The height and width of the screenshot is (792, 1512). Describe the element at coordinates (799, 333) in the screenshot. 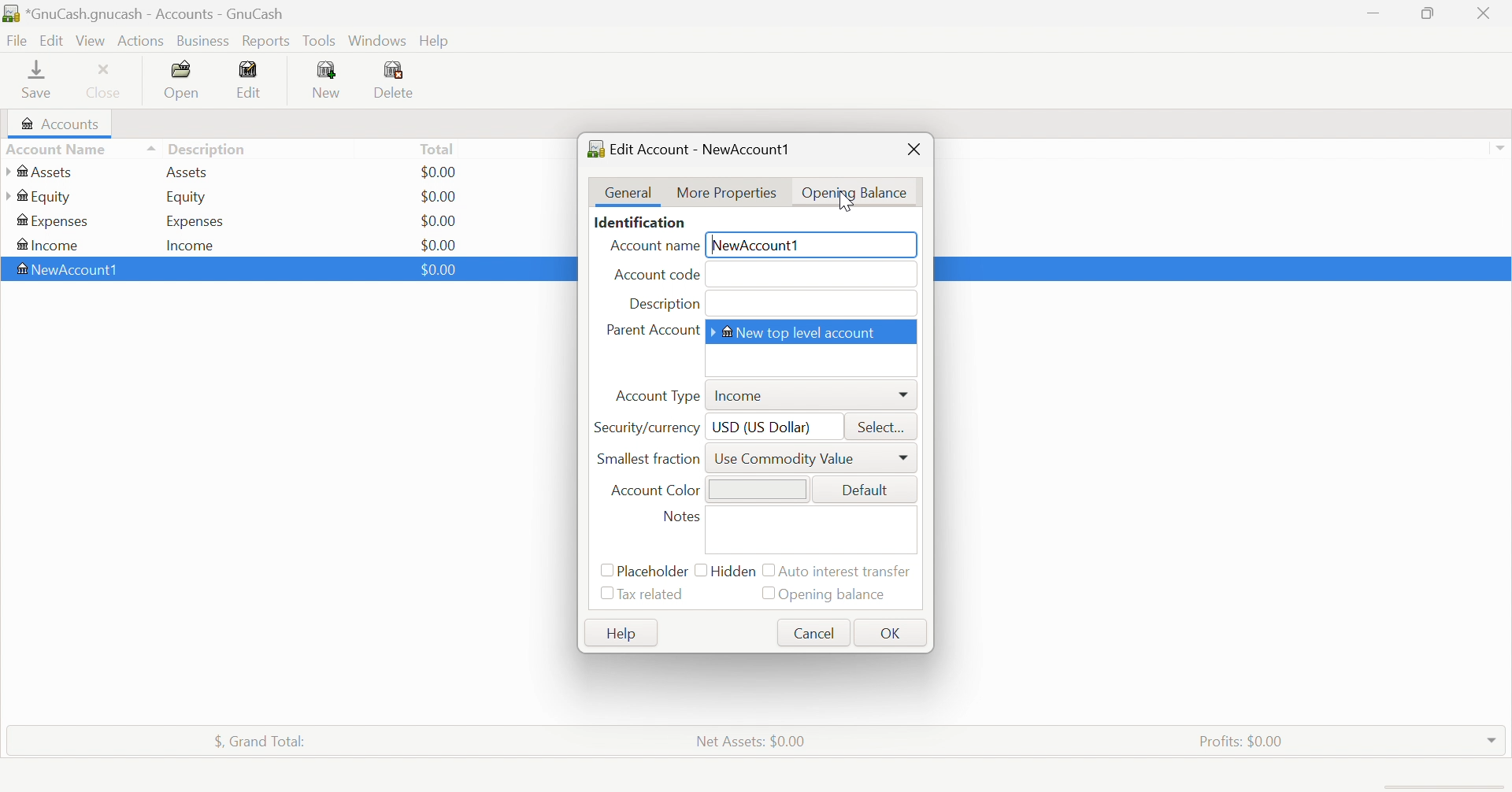

I see `New top level account` at that location.